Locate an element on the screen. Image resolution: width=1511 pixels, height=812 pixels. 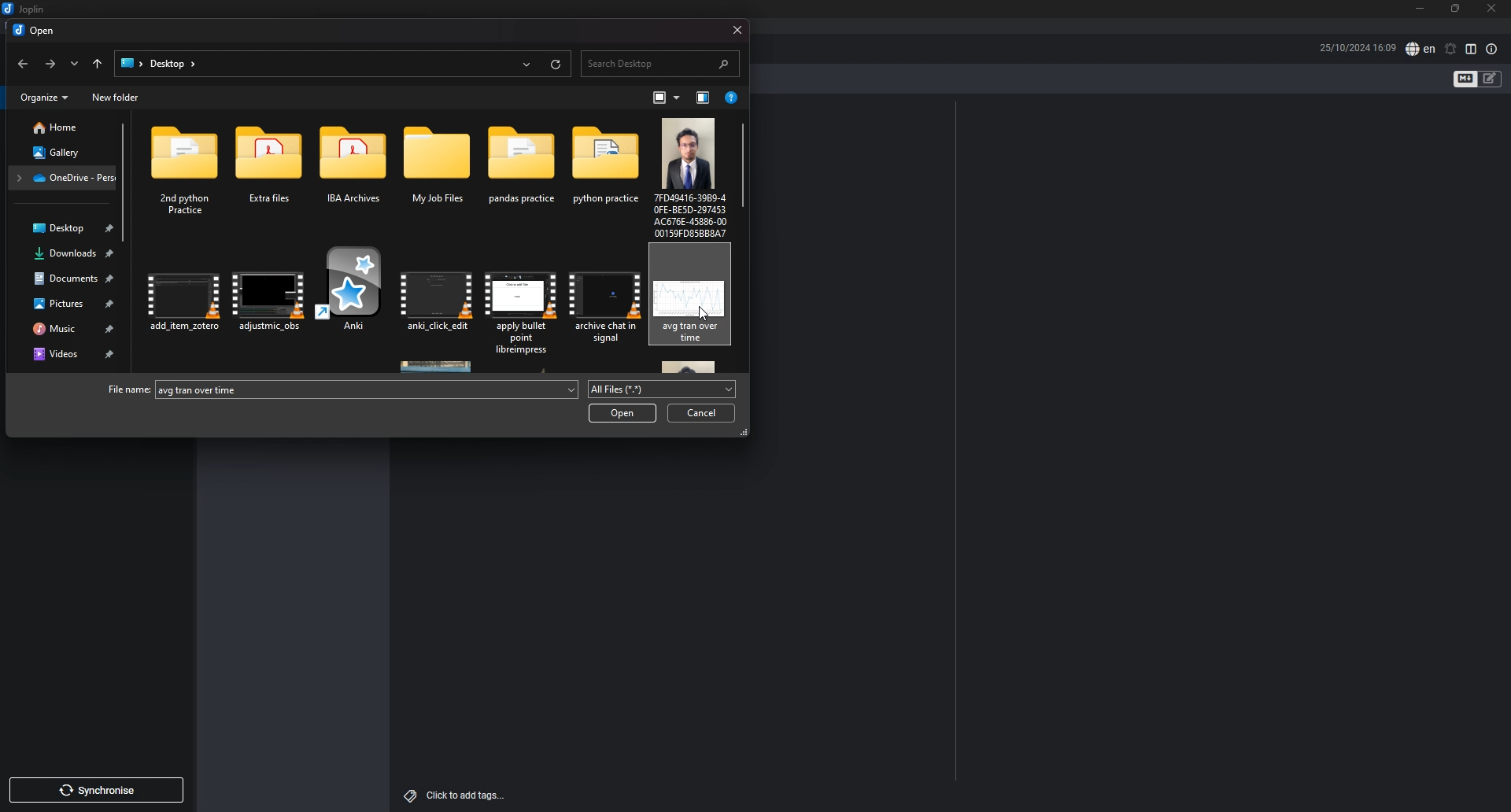
forward is located at coordinates (48, 64).